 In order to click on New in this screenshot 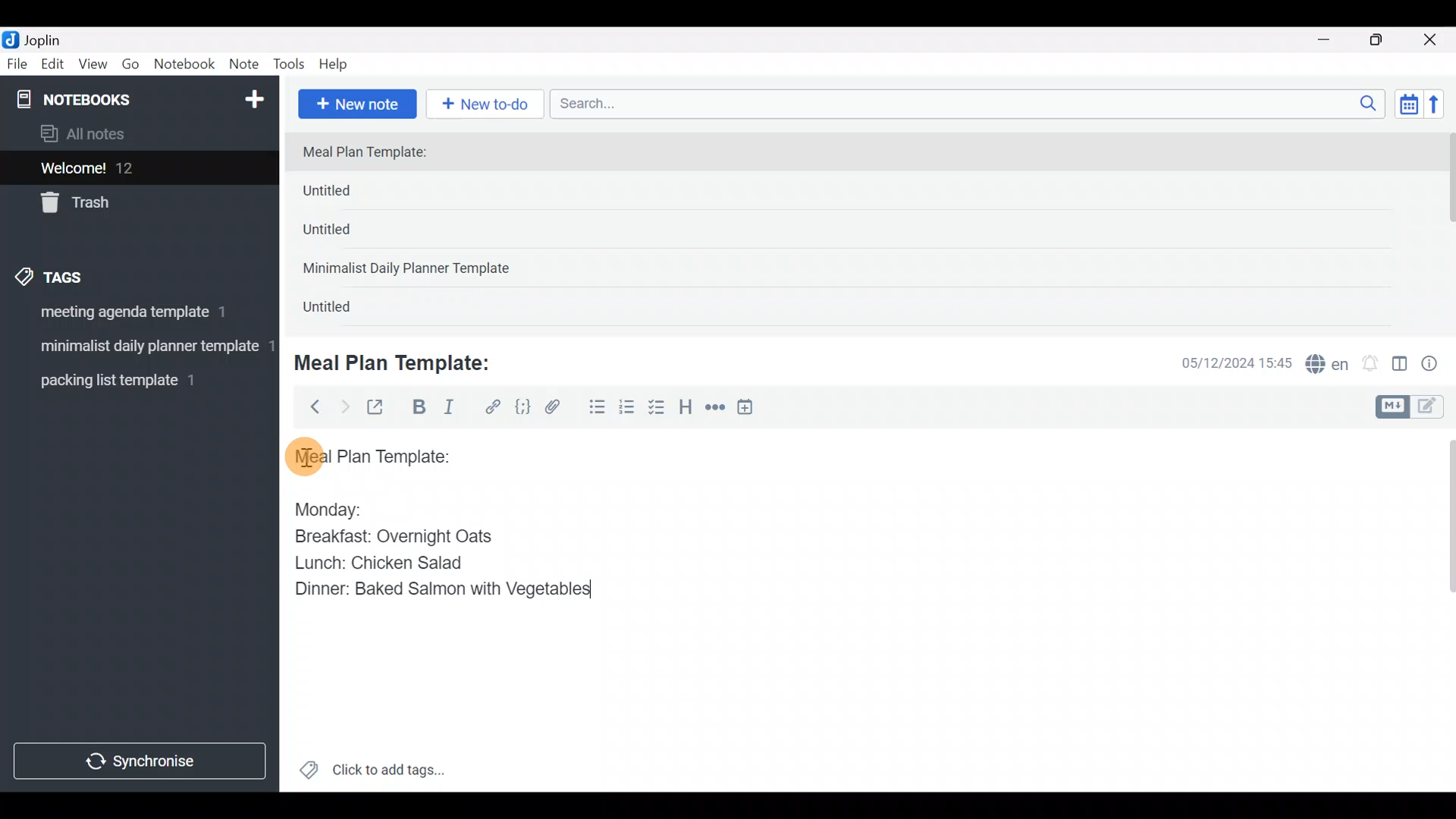, I will do `click(253, 96)`.